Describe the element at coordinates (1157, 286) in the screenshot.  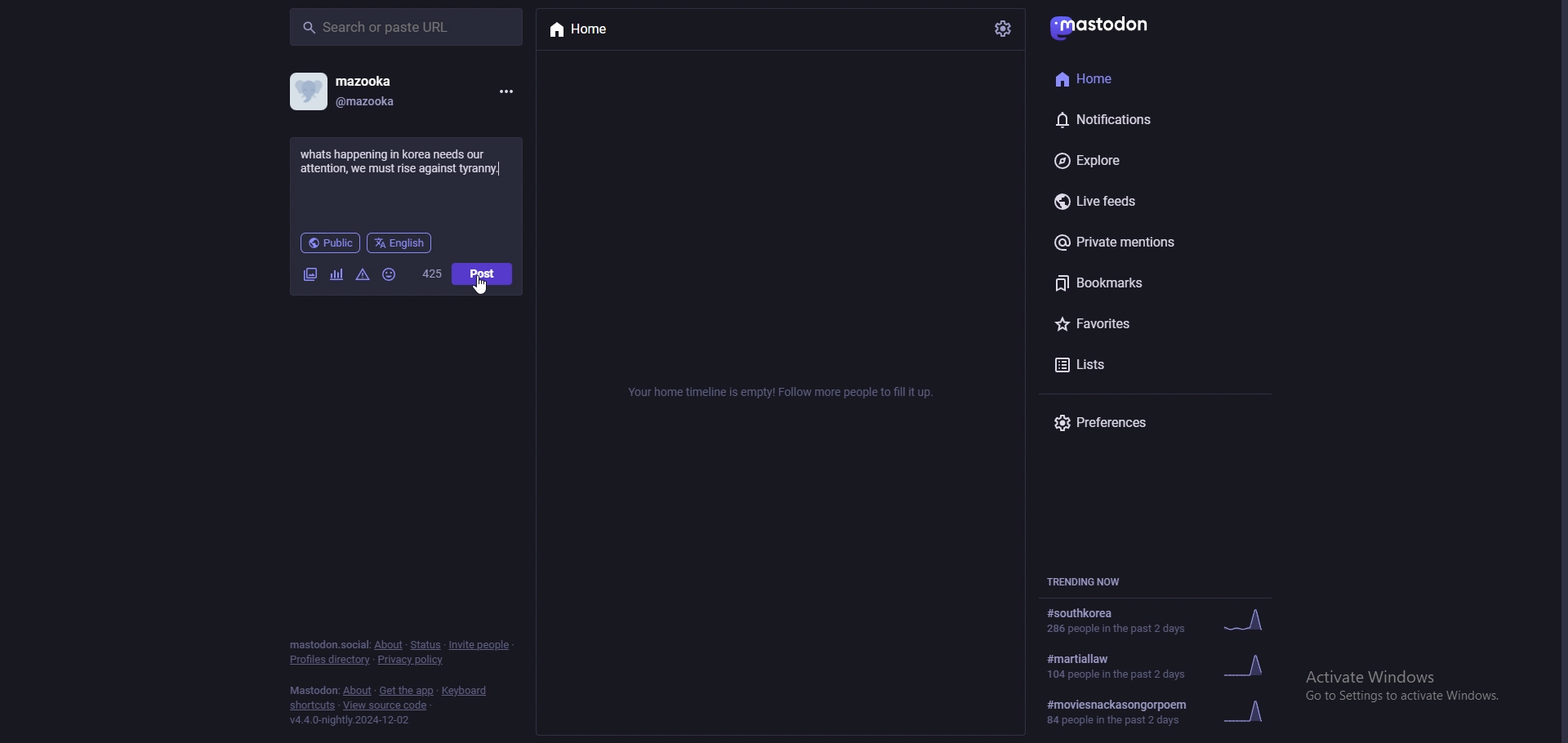
I see `bookmarks` at that location.